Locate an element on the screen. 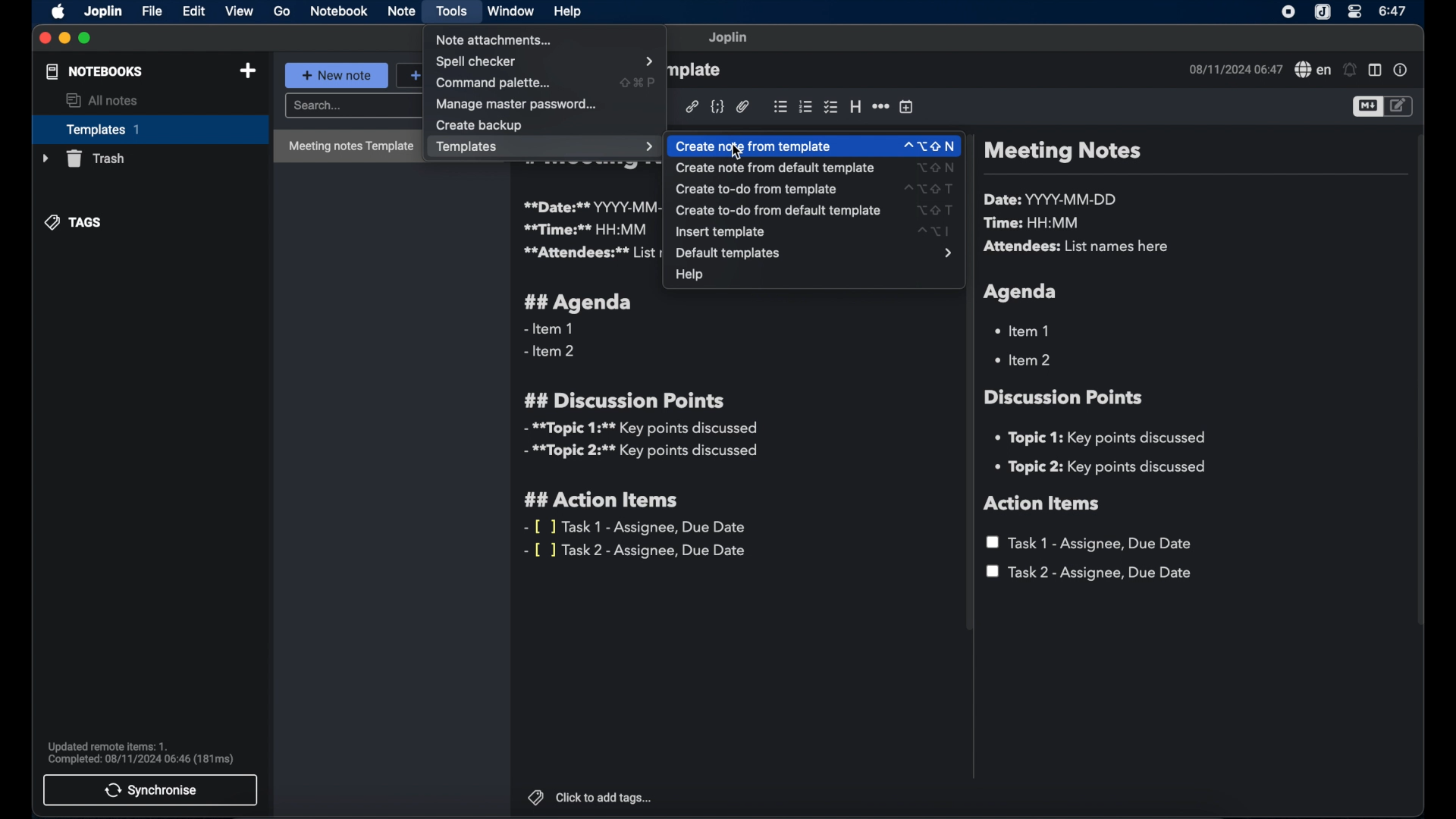 The height and width of the screenshot is (819, 1456). search is located at coordinates (351, 108).